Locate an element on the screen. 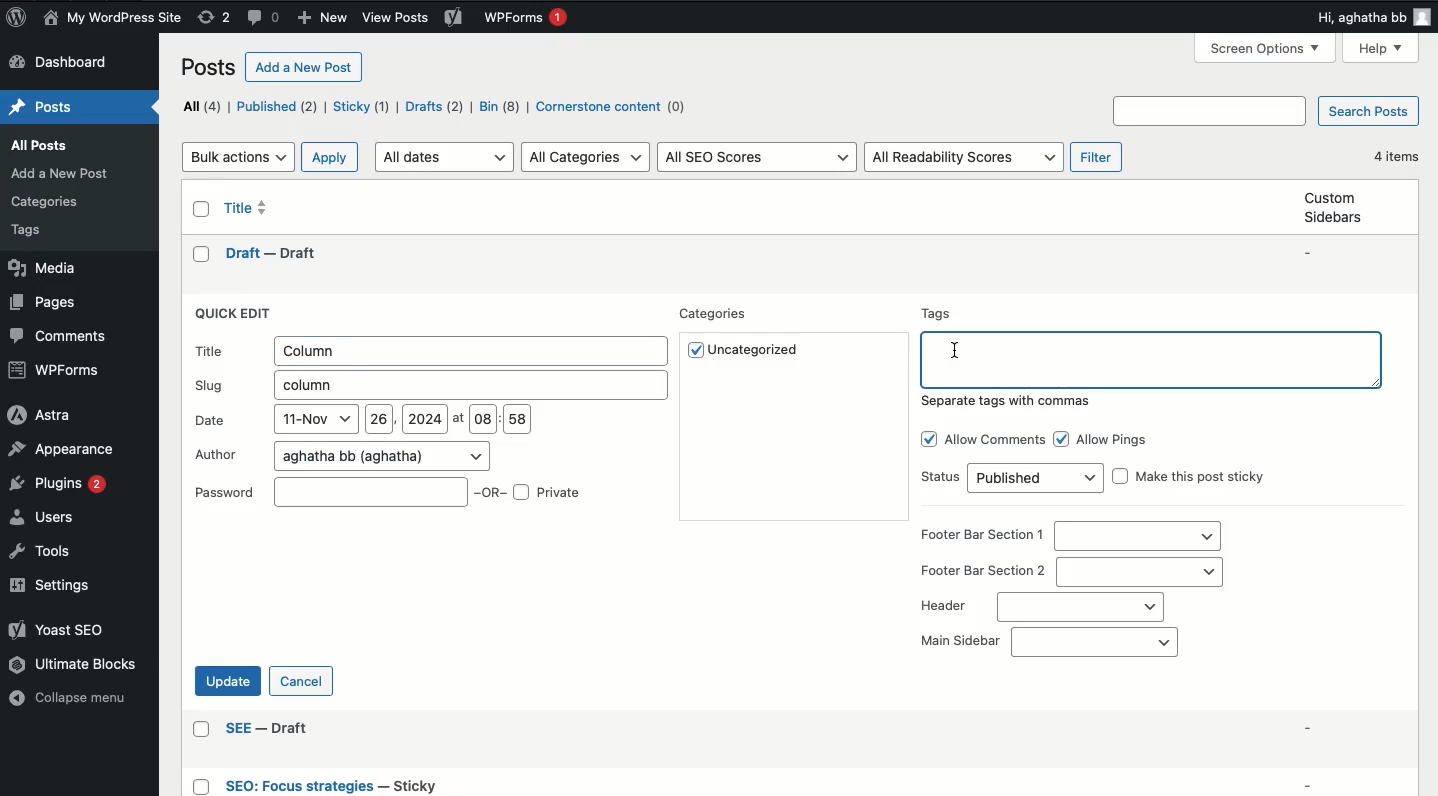 The width and height of the screenshot is (1438, 796). Footer bar section 2 is located at coordinates (1069, 571).